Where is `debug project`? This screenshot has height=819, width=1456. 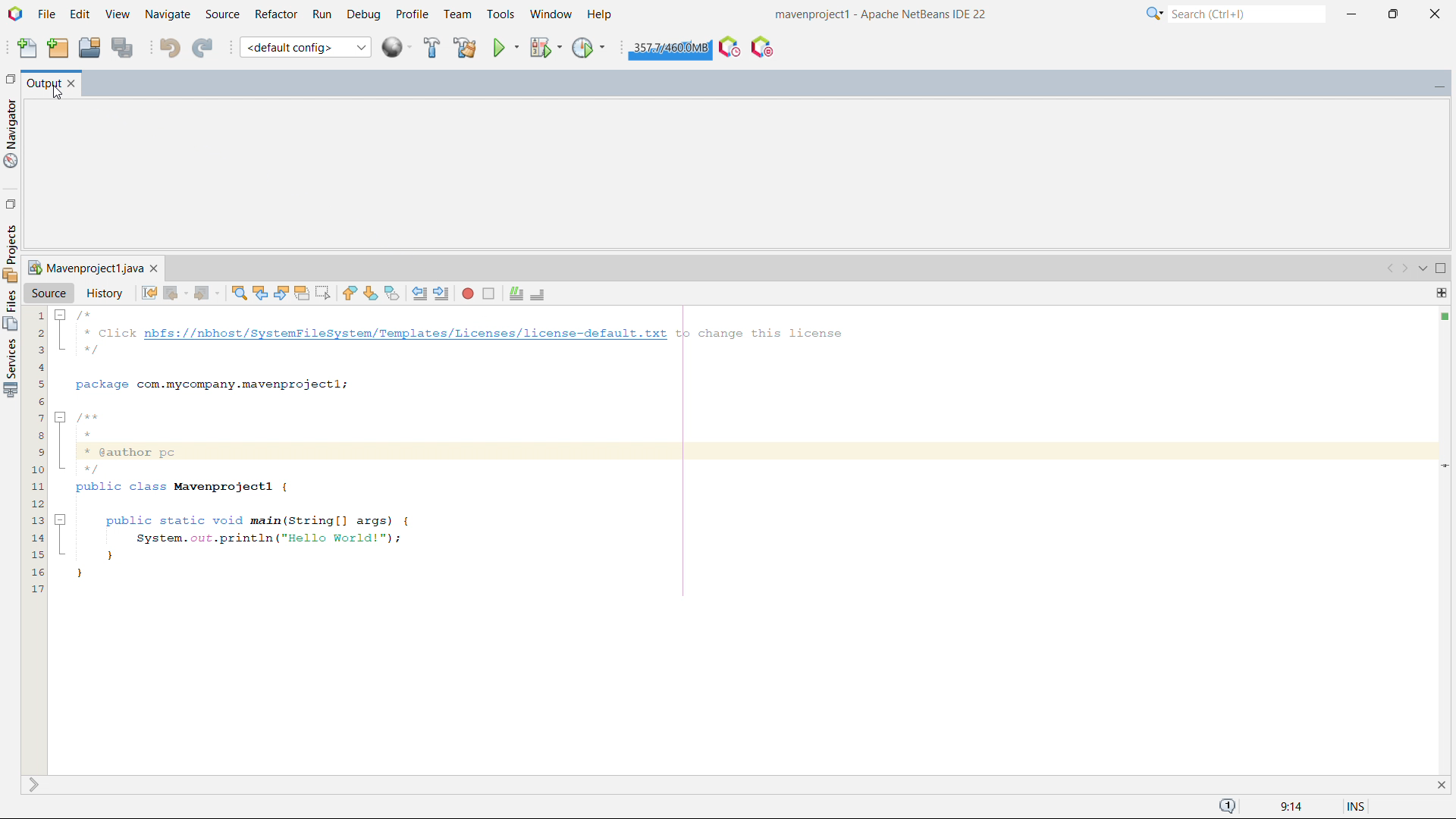
debug project is located at coordinates (544, 47).